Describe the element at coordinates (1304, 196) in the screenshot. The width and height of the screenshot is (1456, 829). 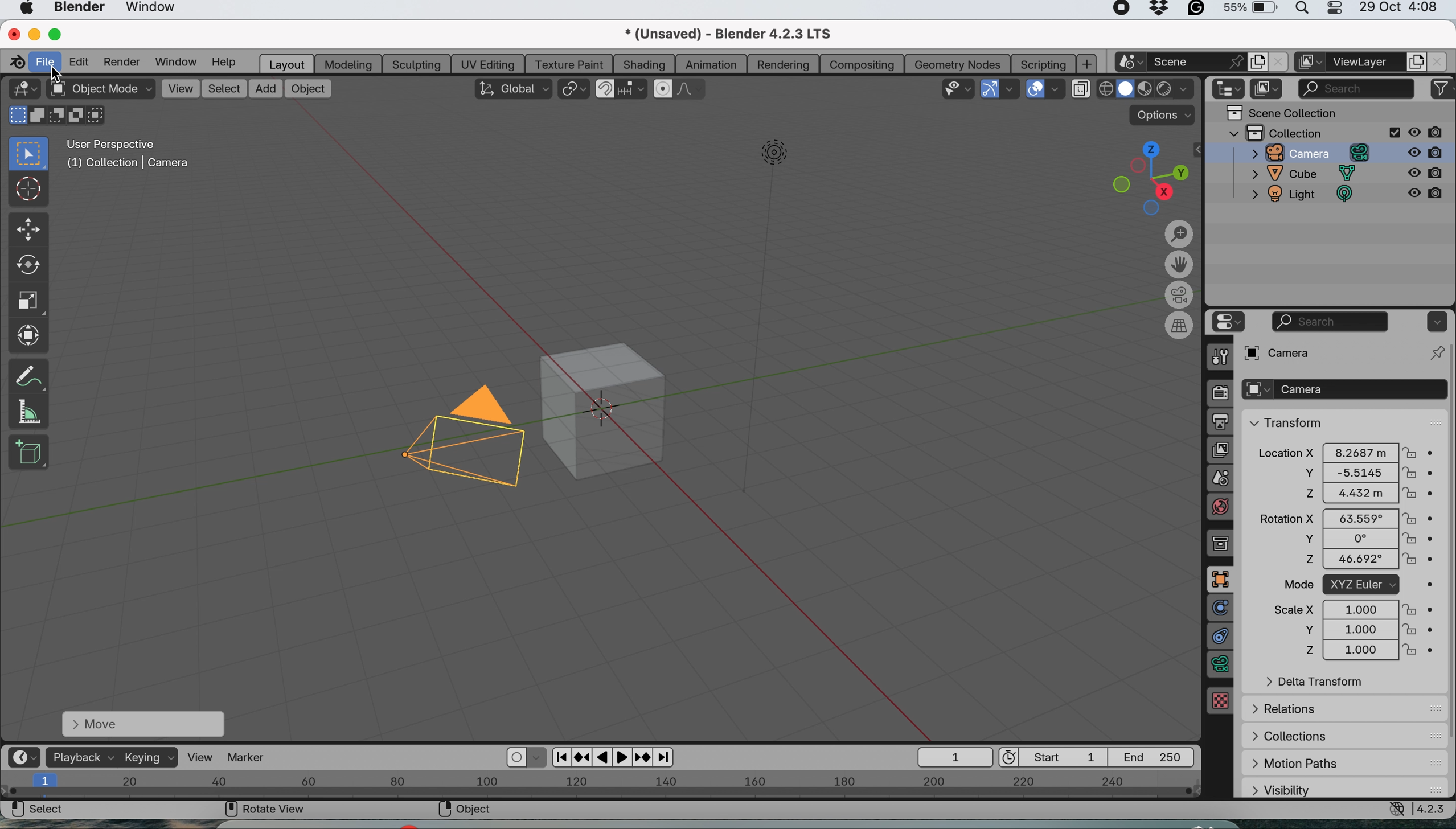
I see `light` at that location.